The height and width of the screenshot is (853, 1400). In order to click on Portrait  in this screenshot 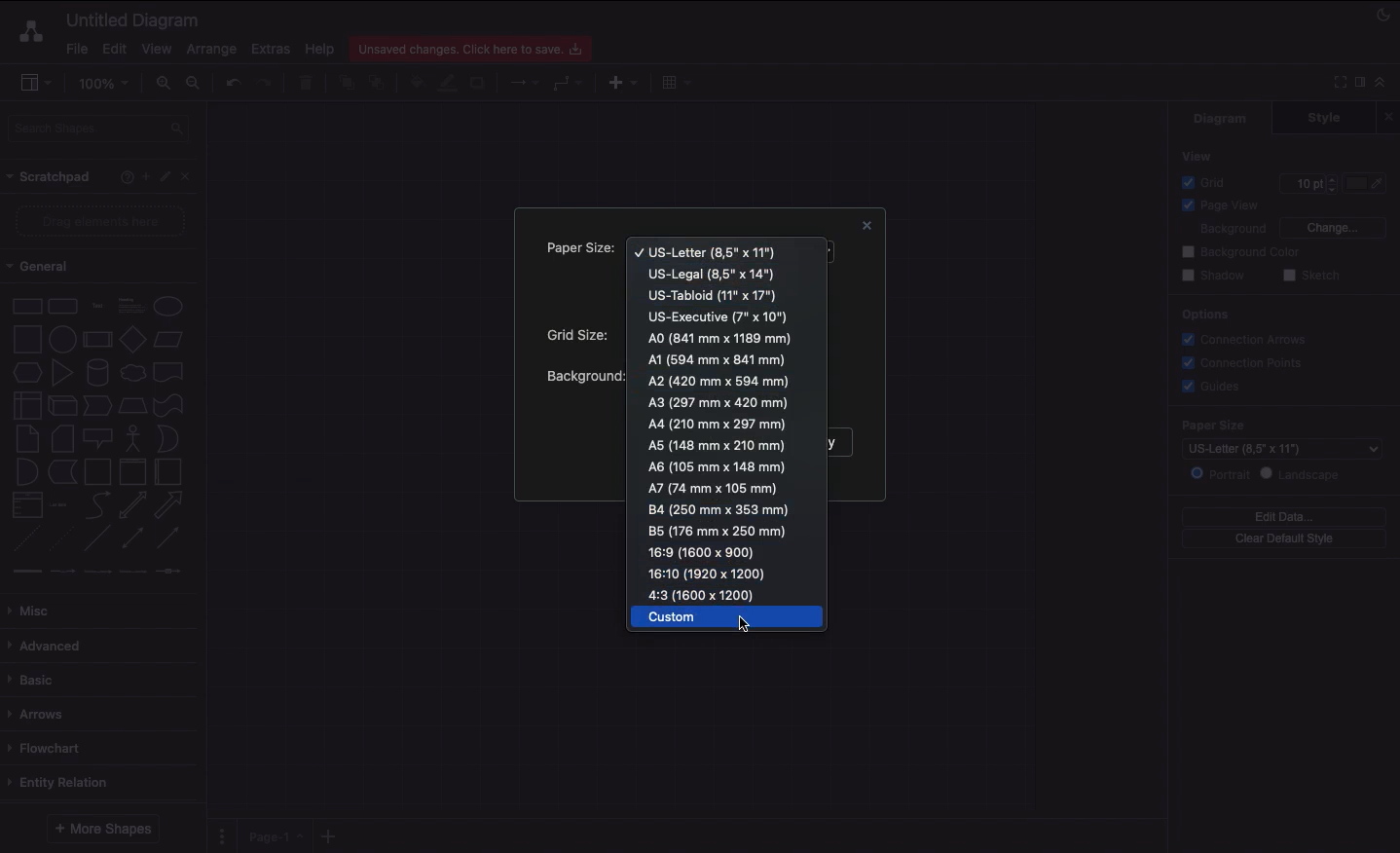, I will do `click(1220, 473)`.